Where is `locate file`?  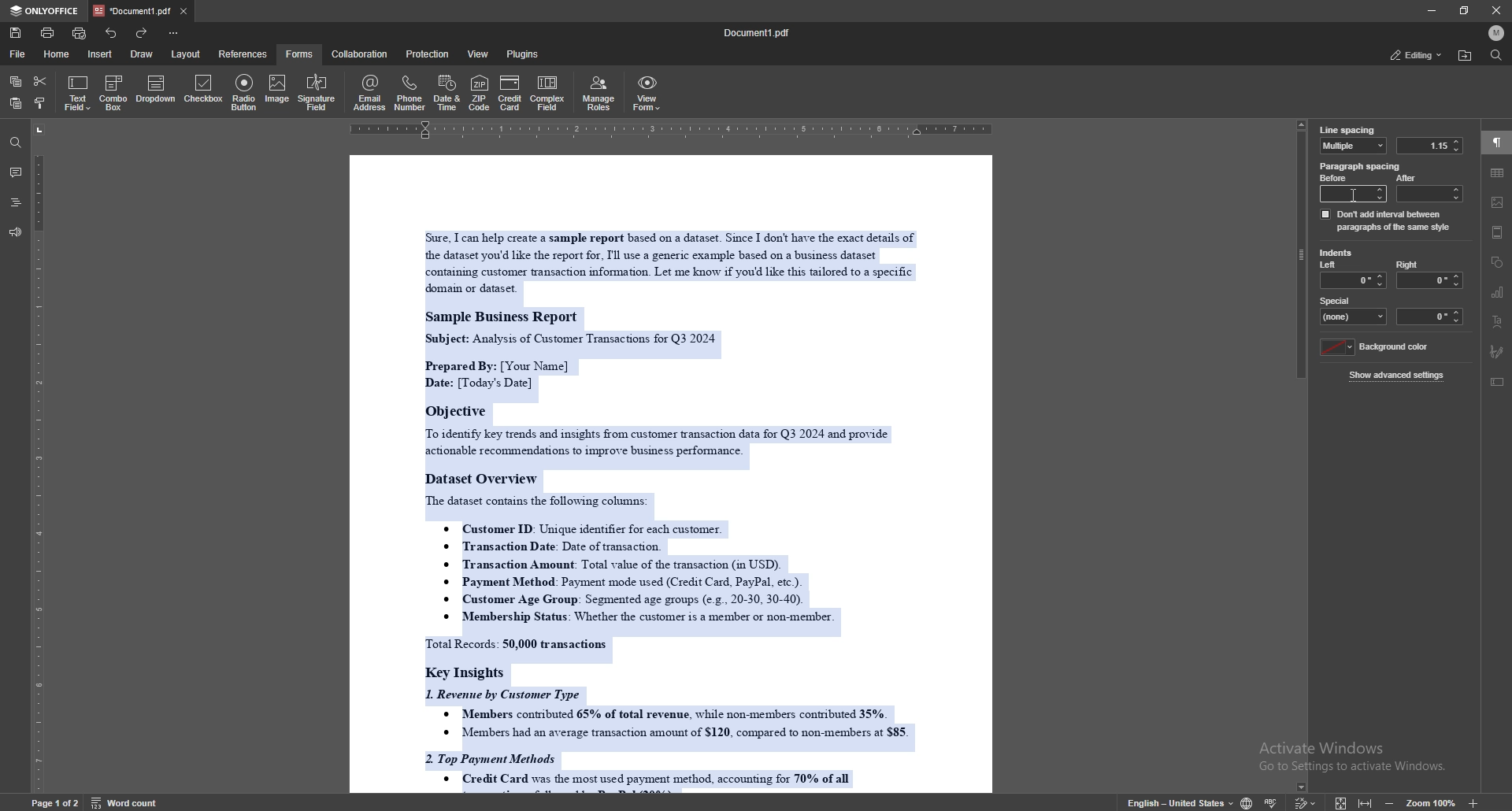 locate file is located at coordinates (1465, 56).